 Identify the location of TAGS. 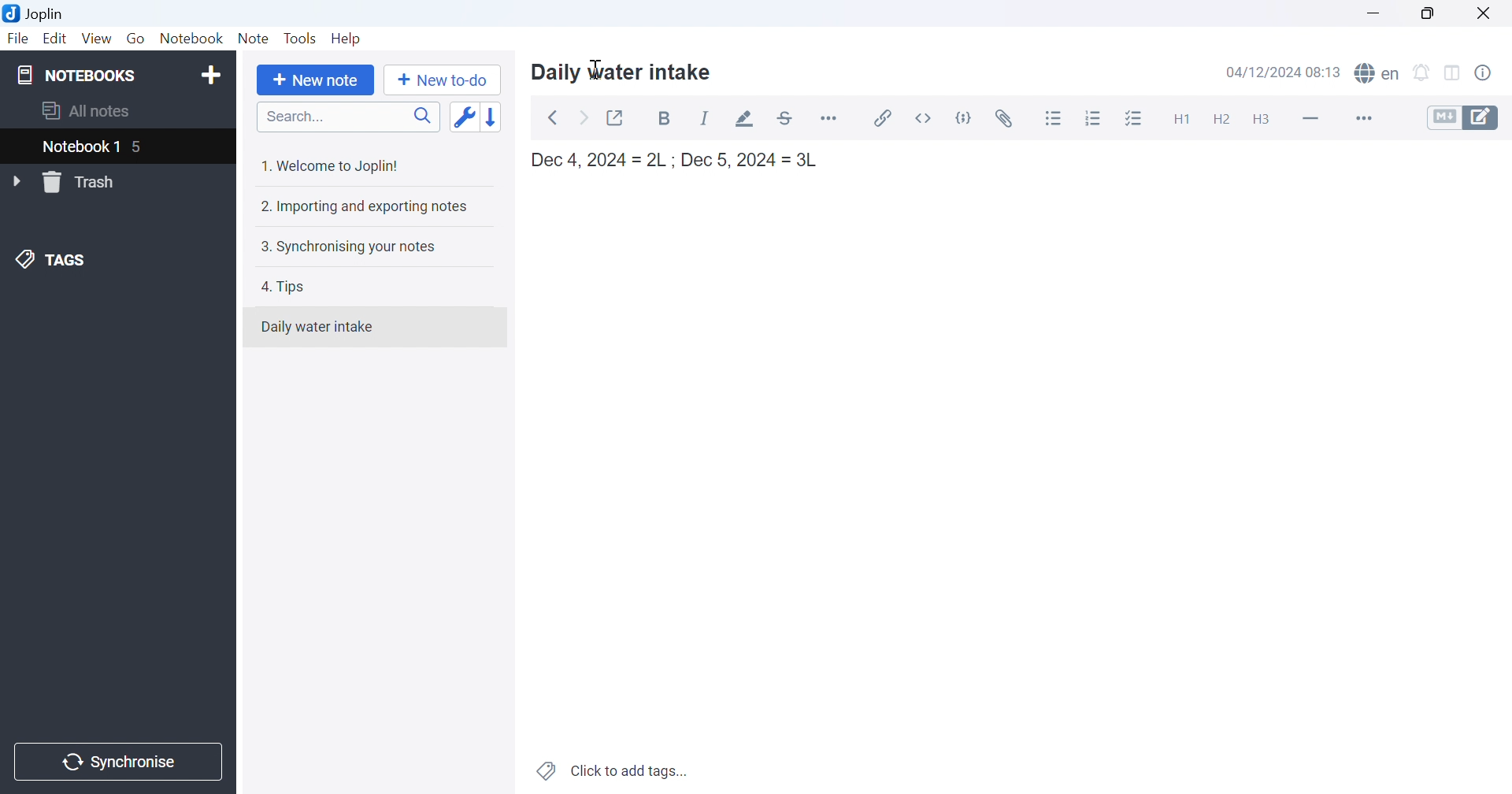
(53, 262).